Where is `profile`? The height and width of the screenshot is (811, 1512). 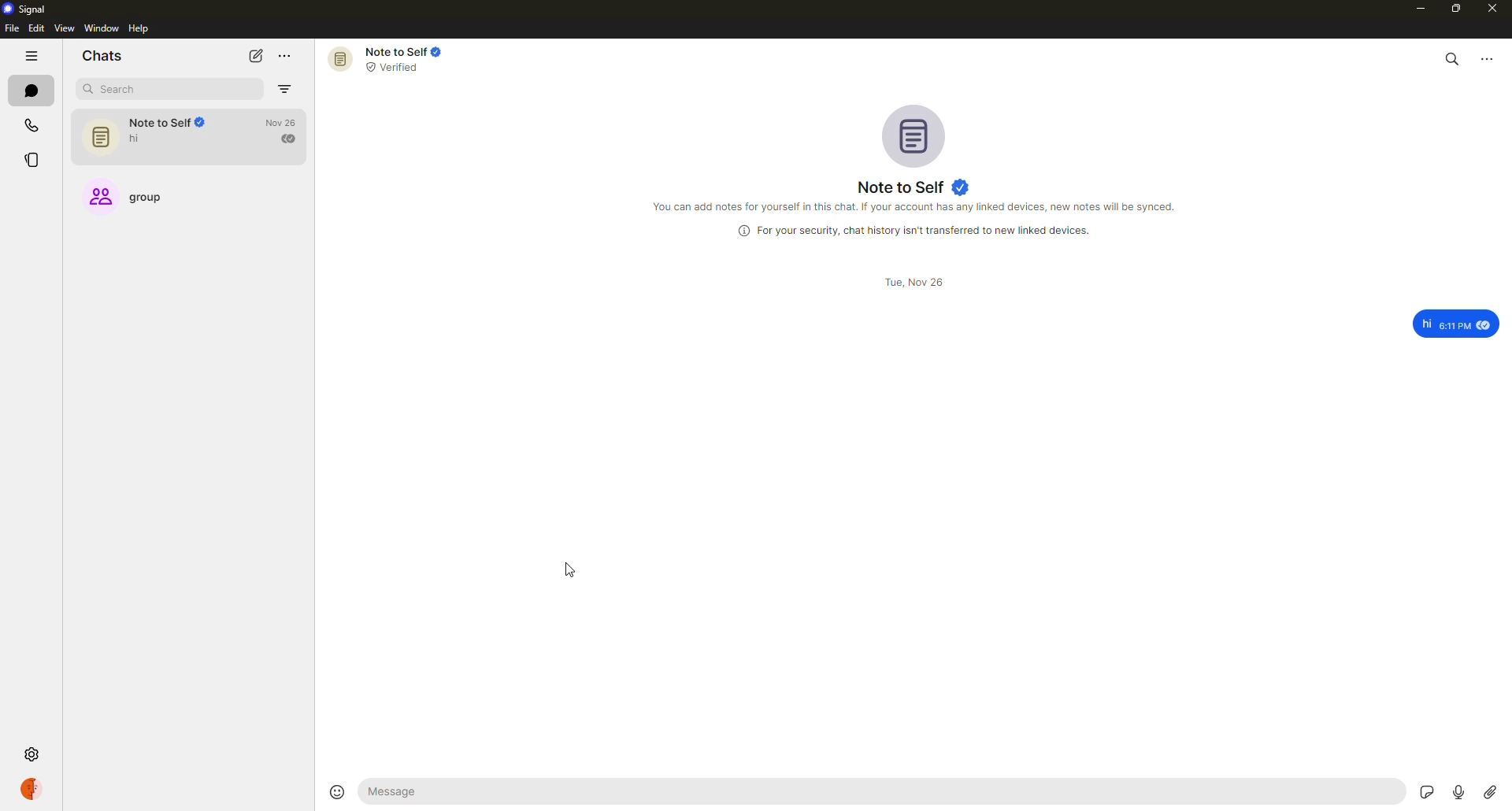 profile is located at coordinates (30, 790).